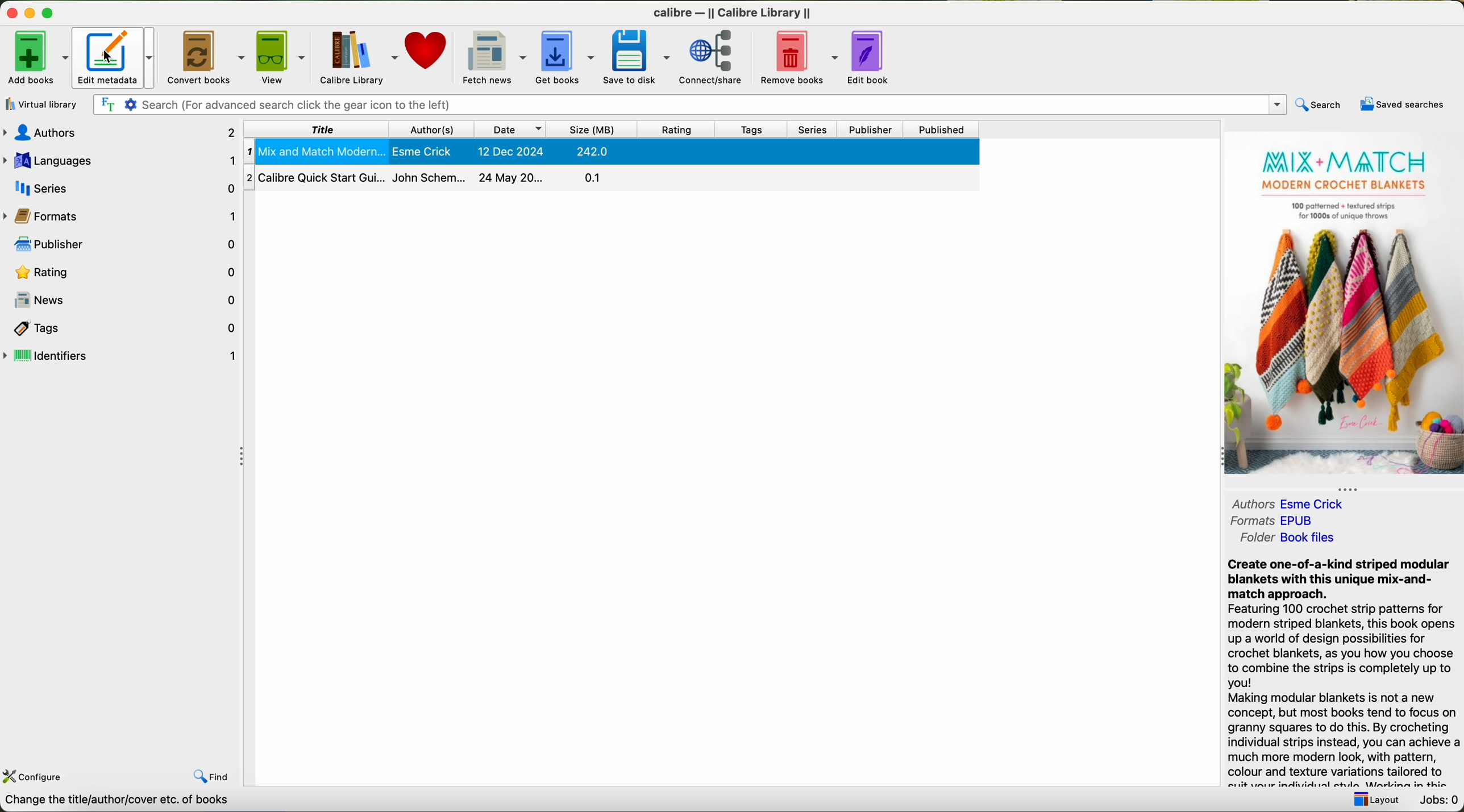  What do you see at coordinates (122, 186) in the screenshot?
I see `series` at bounding box center [122, 186].